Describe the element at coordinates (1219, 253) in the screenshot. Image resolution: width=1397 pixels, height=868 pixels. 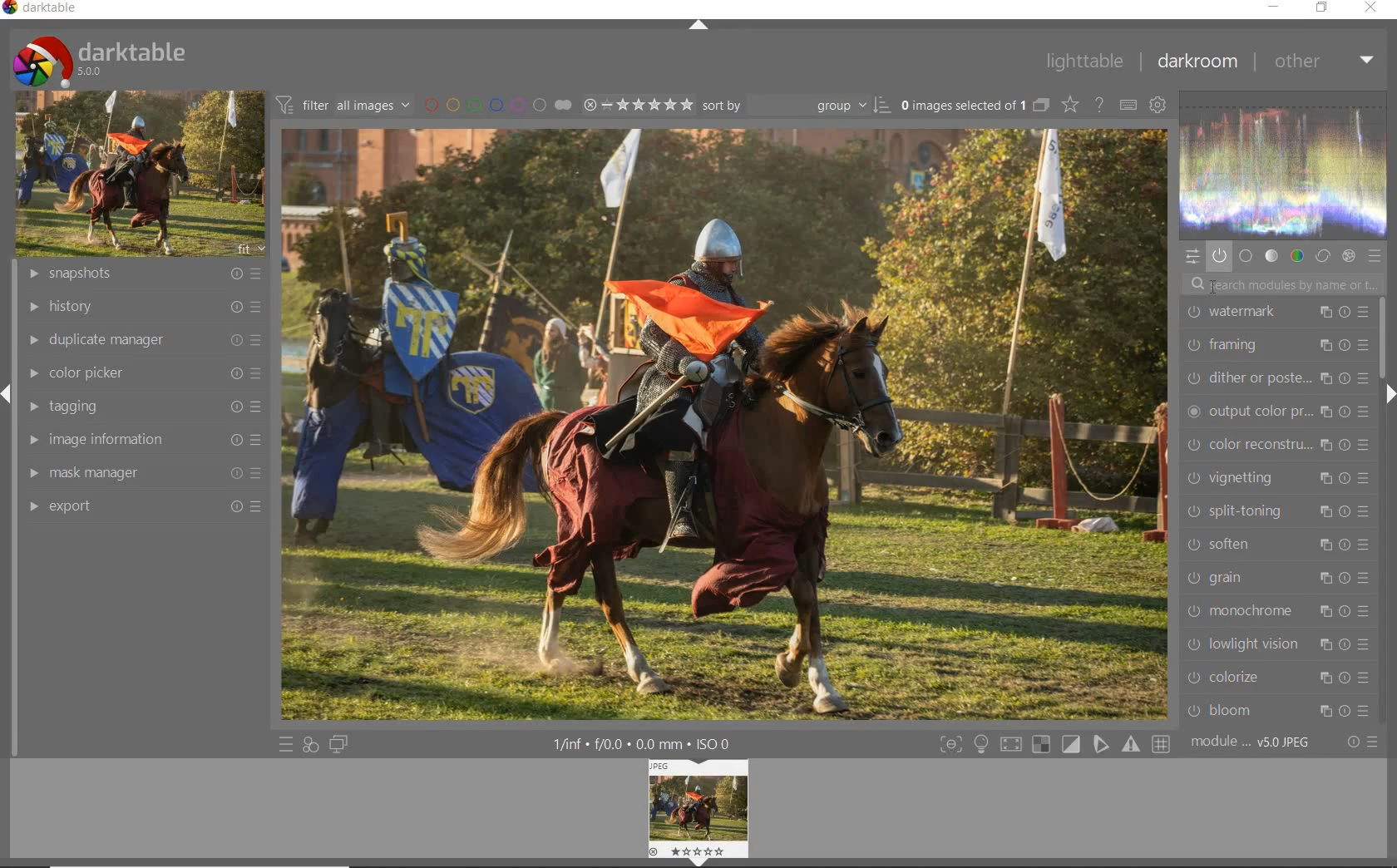
I see `show only active modules` at that location.